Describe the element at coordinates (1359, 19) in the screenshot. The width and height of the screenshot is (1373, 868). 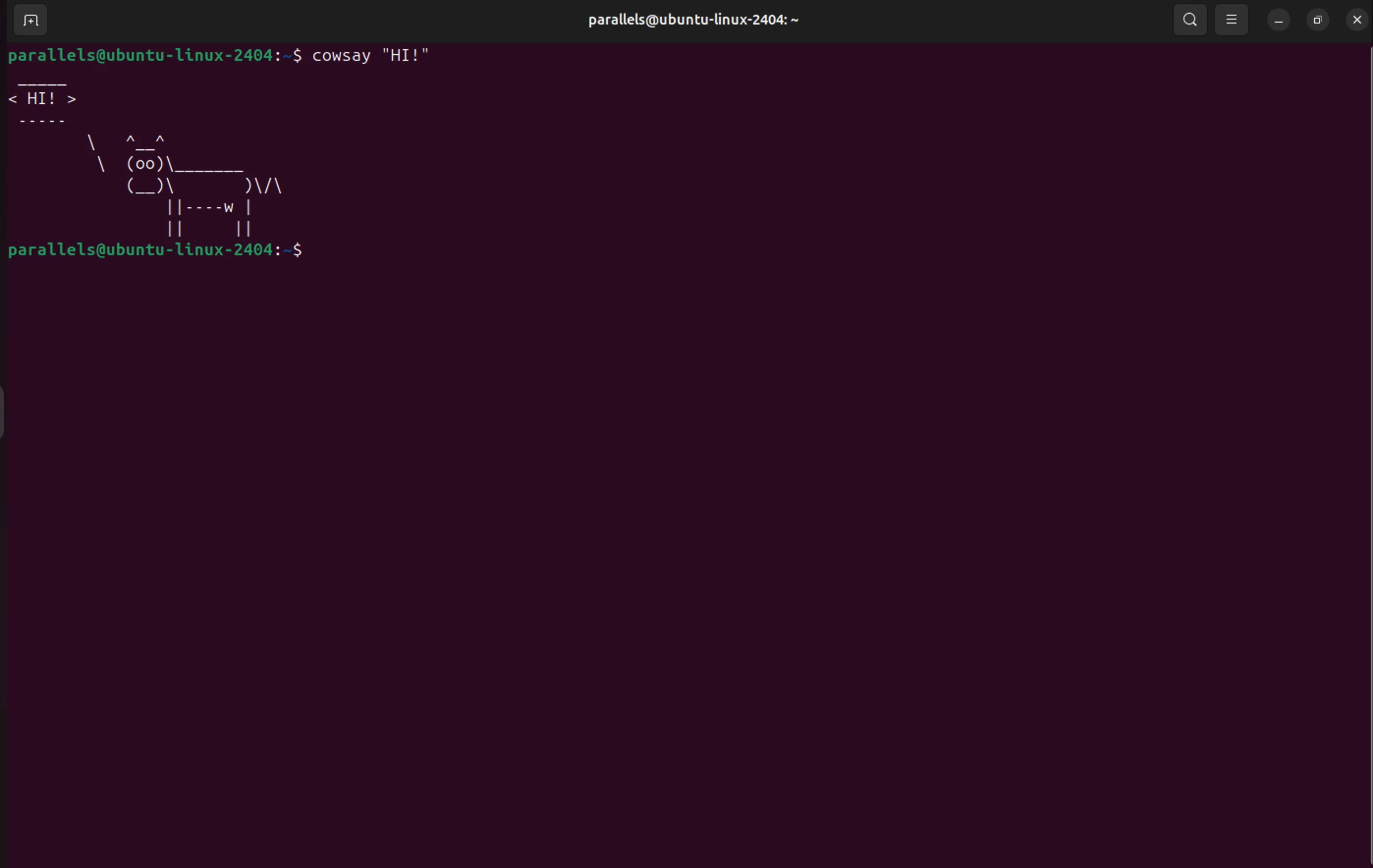
I see `close` at that location.